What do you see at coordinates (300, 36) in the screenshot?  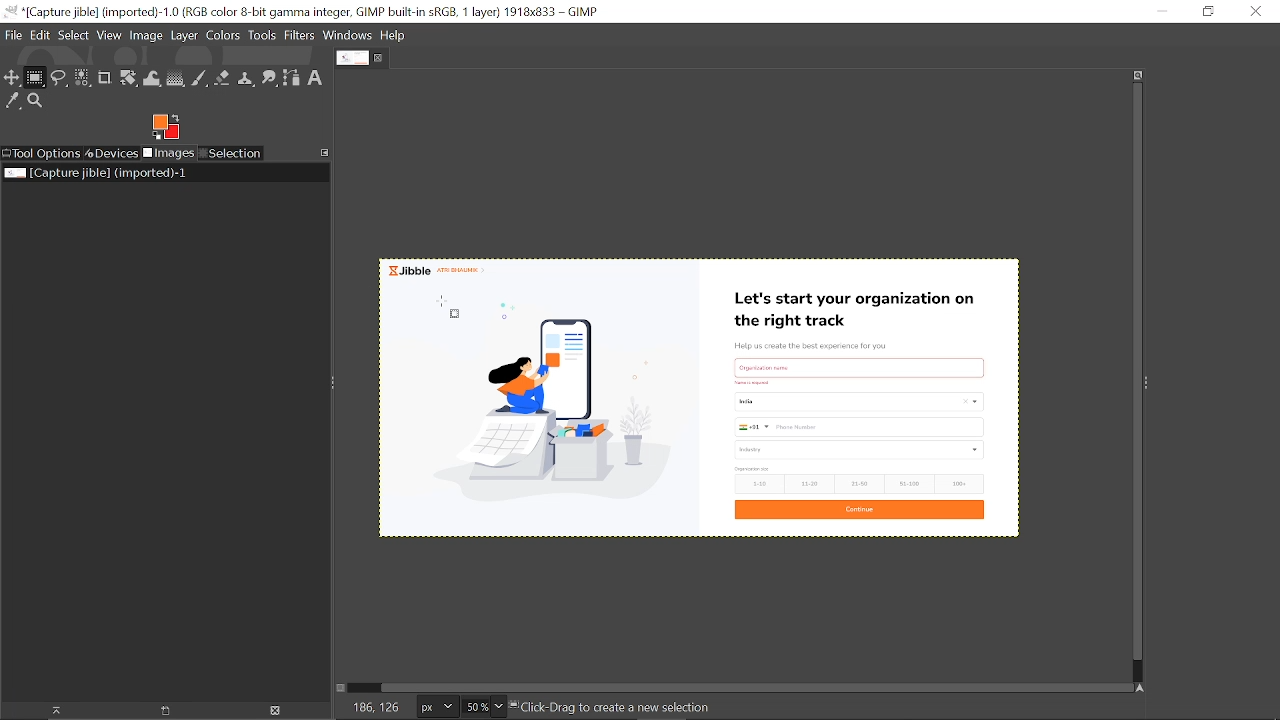 I see `Filters` at bounding box center [300, 36].